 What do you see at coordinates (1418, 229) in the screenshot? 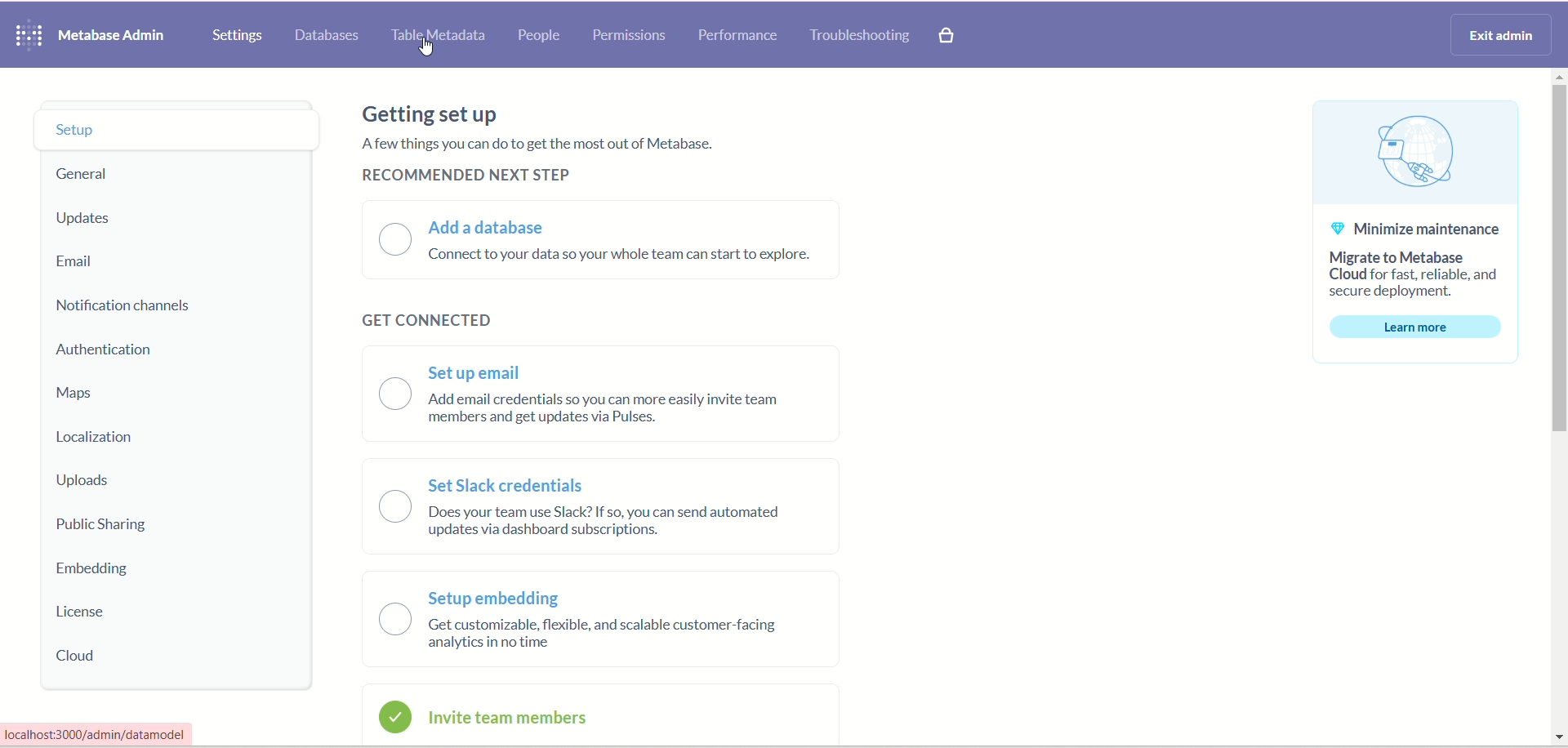
I see `minimize maintenance` at bounding box center [1418, 229].